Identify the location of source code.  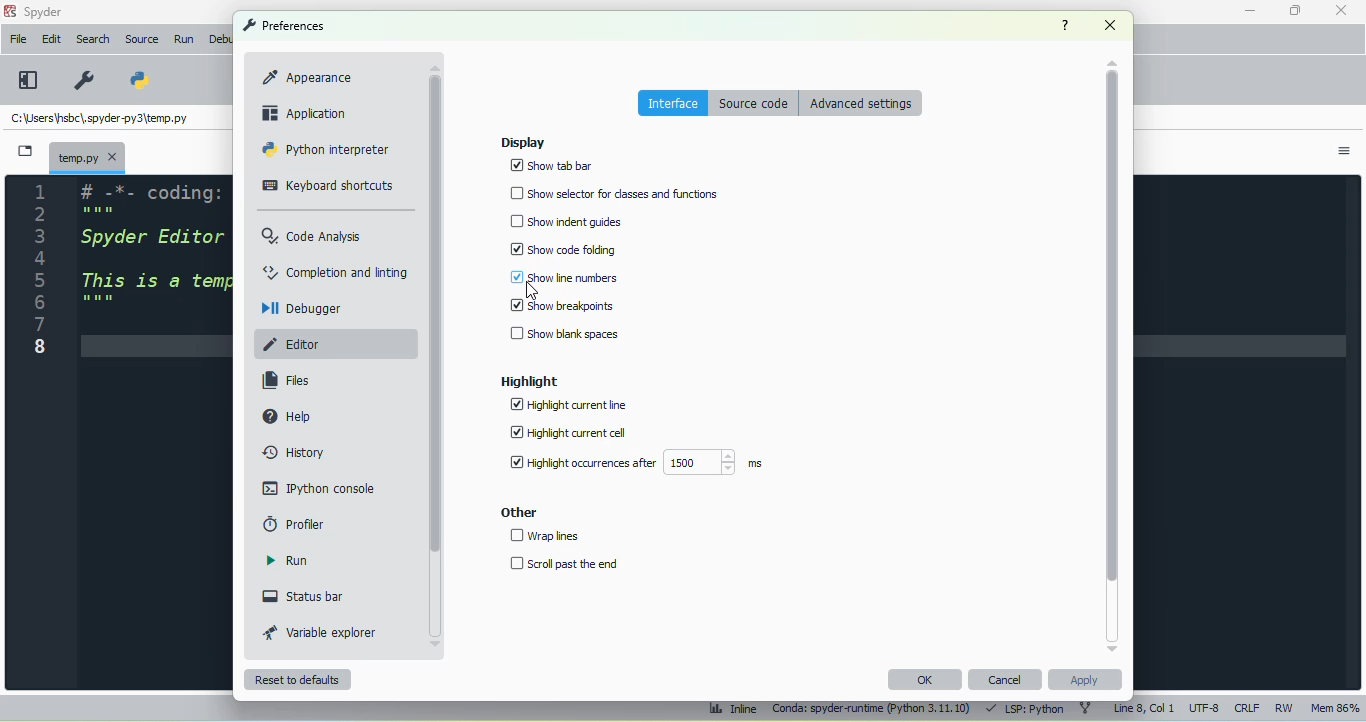
(754, 103).